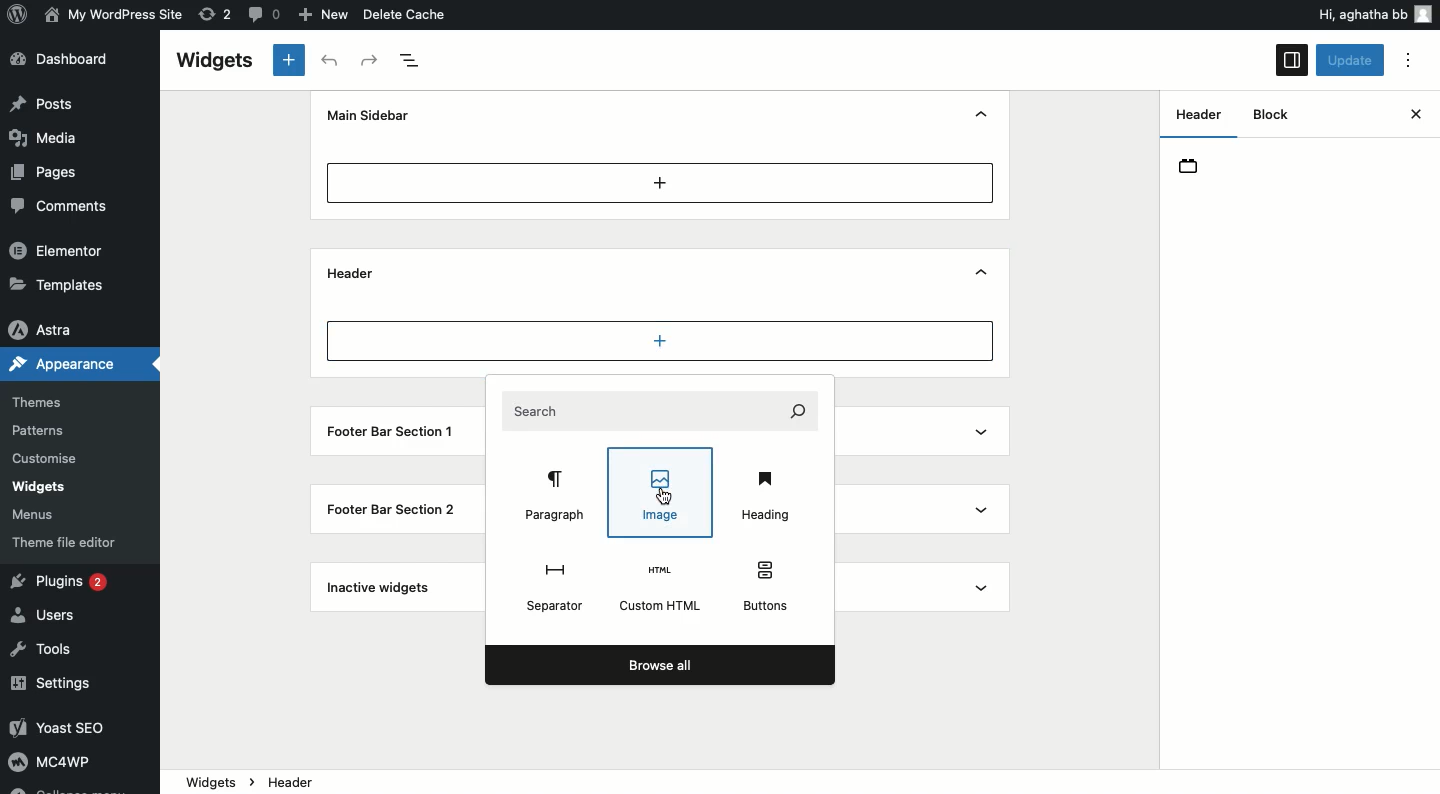 The height and width of the screenshot is (794, 1440). I want to click on Widgets, so click(213, 61).